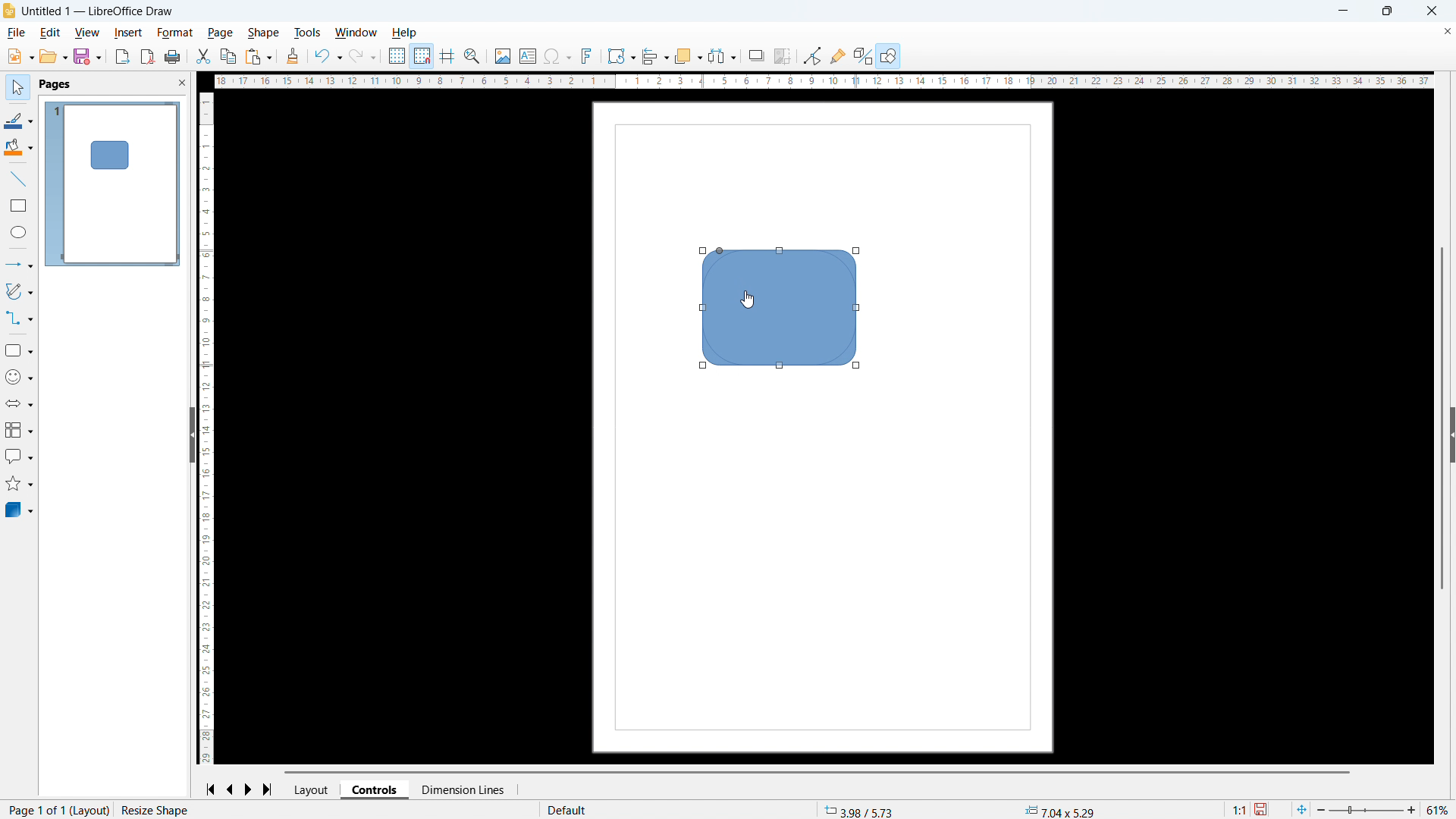 The width and height of the screenshot is (1456, 819). What do you see at coordinates (757, 55) in the screenshot?
I see `` at bounding box center [757, 55].